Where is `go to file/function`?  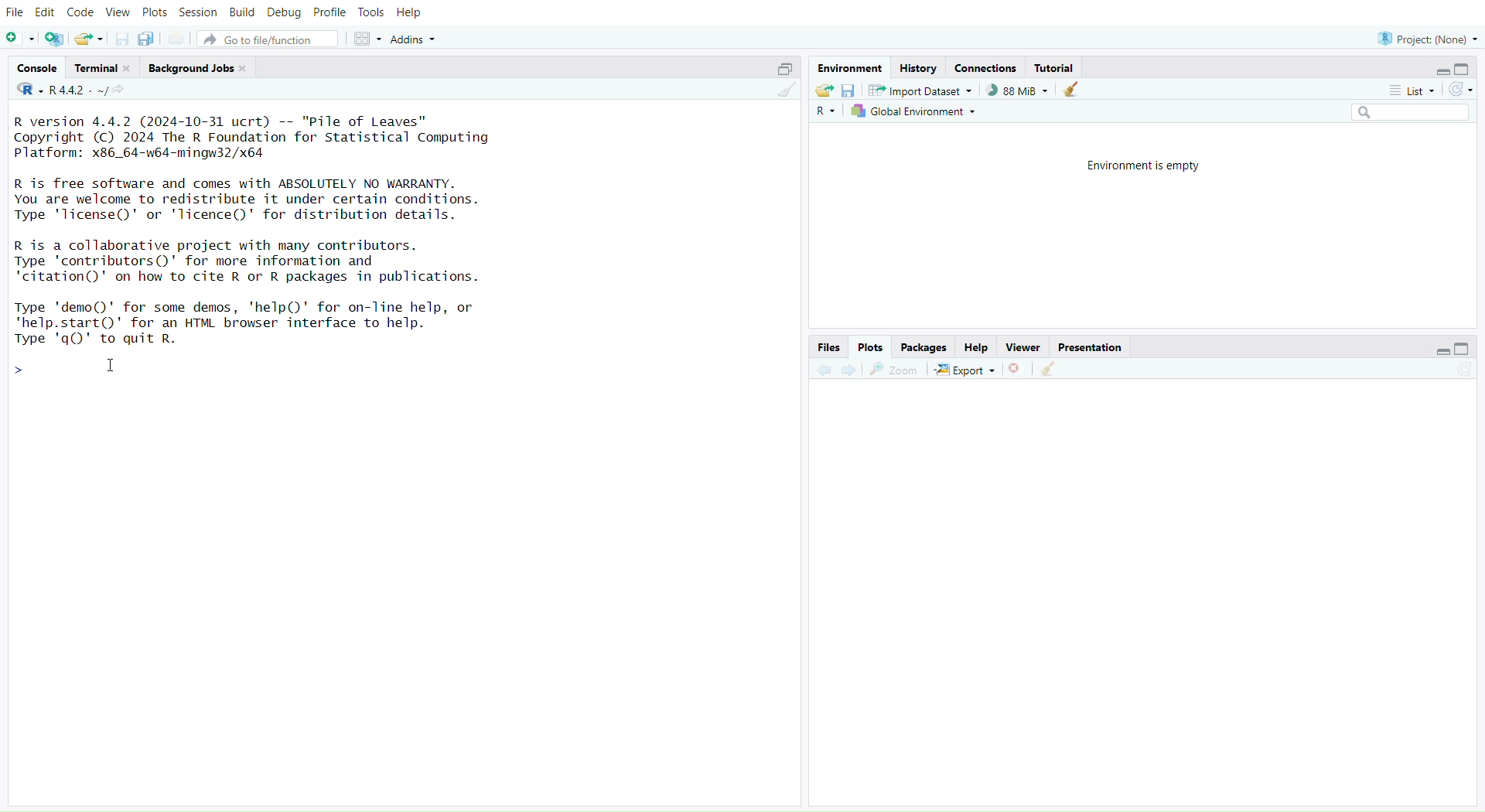
go to file/function is located at coordinates (268, 40).